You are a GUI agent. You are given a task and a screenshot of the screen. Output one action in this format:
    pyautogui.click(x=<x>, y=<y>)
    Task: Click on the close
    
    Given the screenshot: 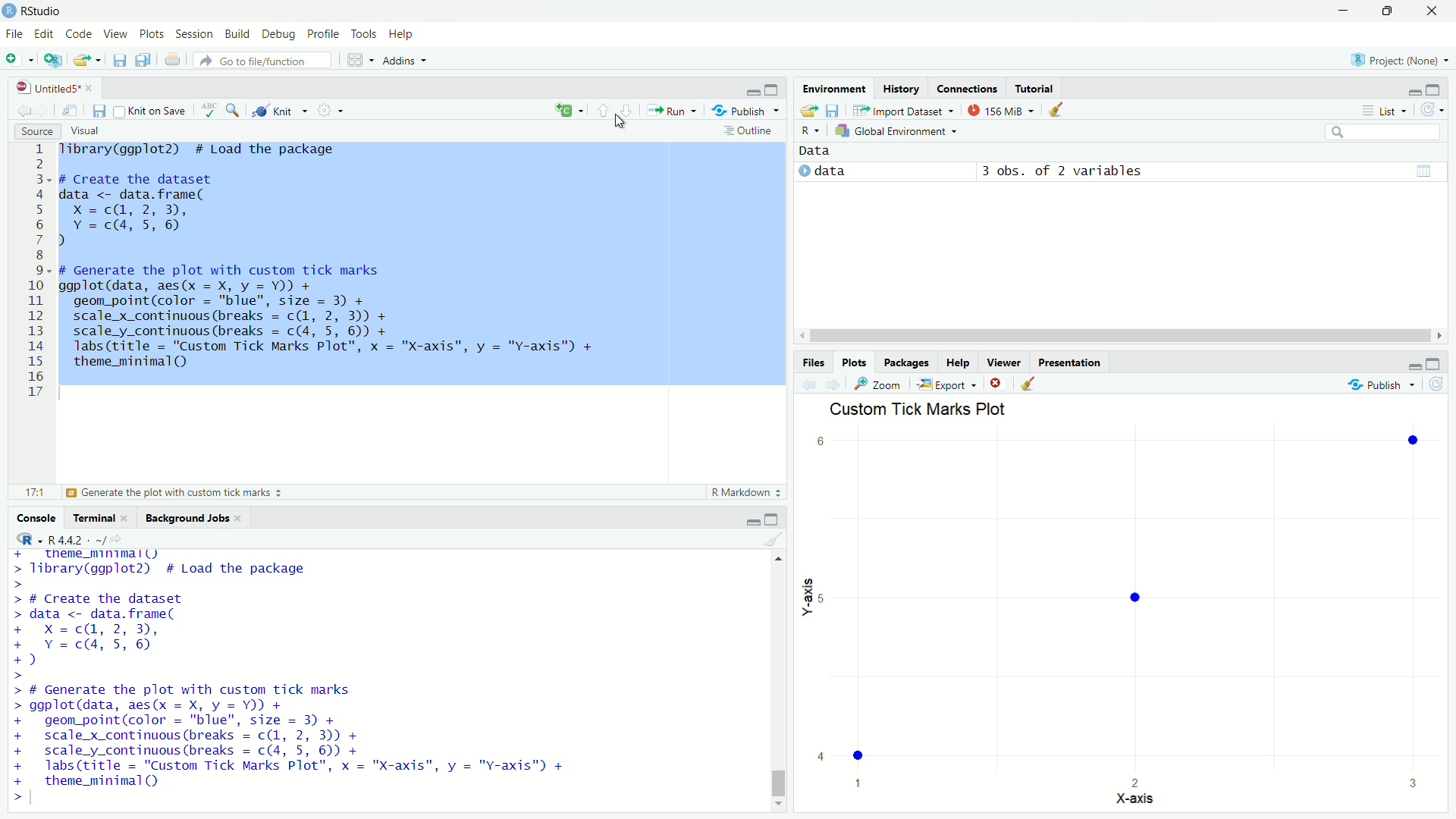 What is the action you would take?
    pyautogui.click(x=93, y=86)
    